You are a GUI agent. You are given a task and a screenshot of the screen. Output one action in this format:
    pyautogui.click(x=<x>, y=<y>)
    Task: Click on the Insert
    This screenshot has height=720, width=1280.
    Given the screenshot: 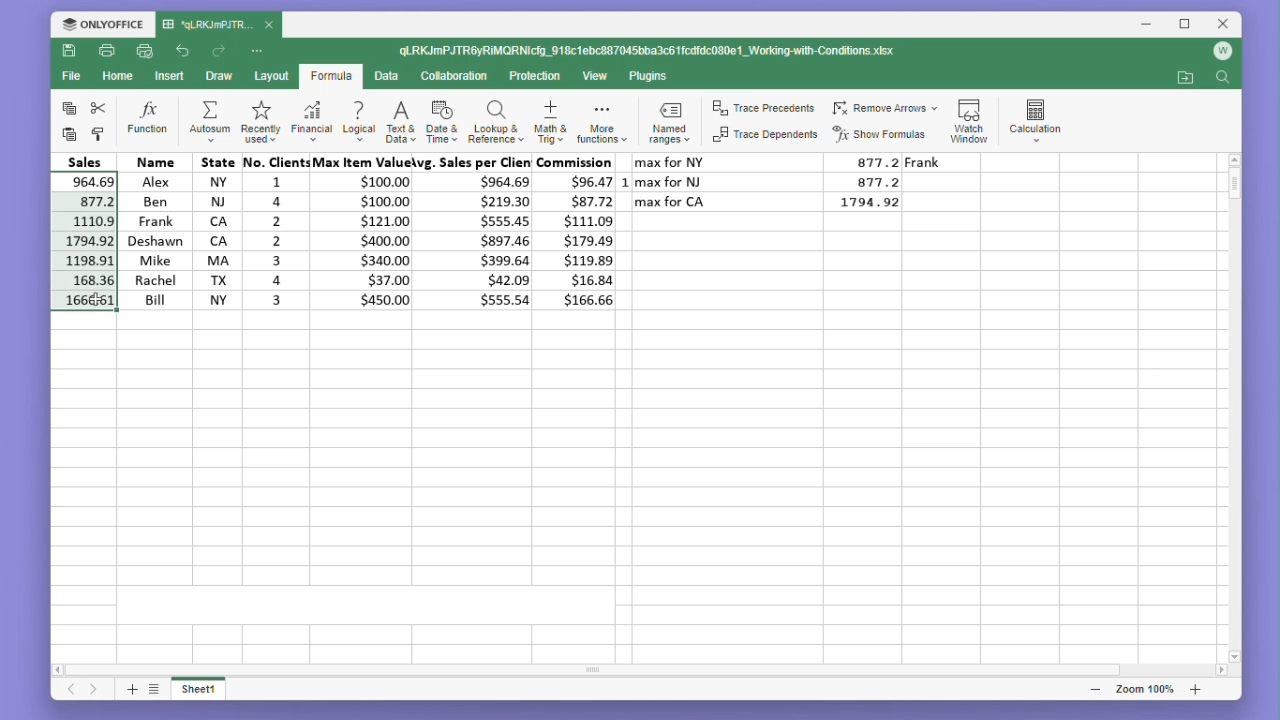 What is the action you would take?
    pyautogui.click(x=166, y=76)
    